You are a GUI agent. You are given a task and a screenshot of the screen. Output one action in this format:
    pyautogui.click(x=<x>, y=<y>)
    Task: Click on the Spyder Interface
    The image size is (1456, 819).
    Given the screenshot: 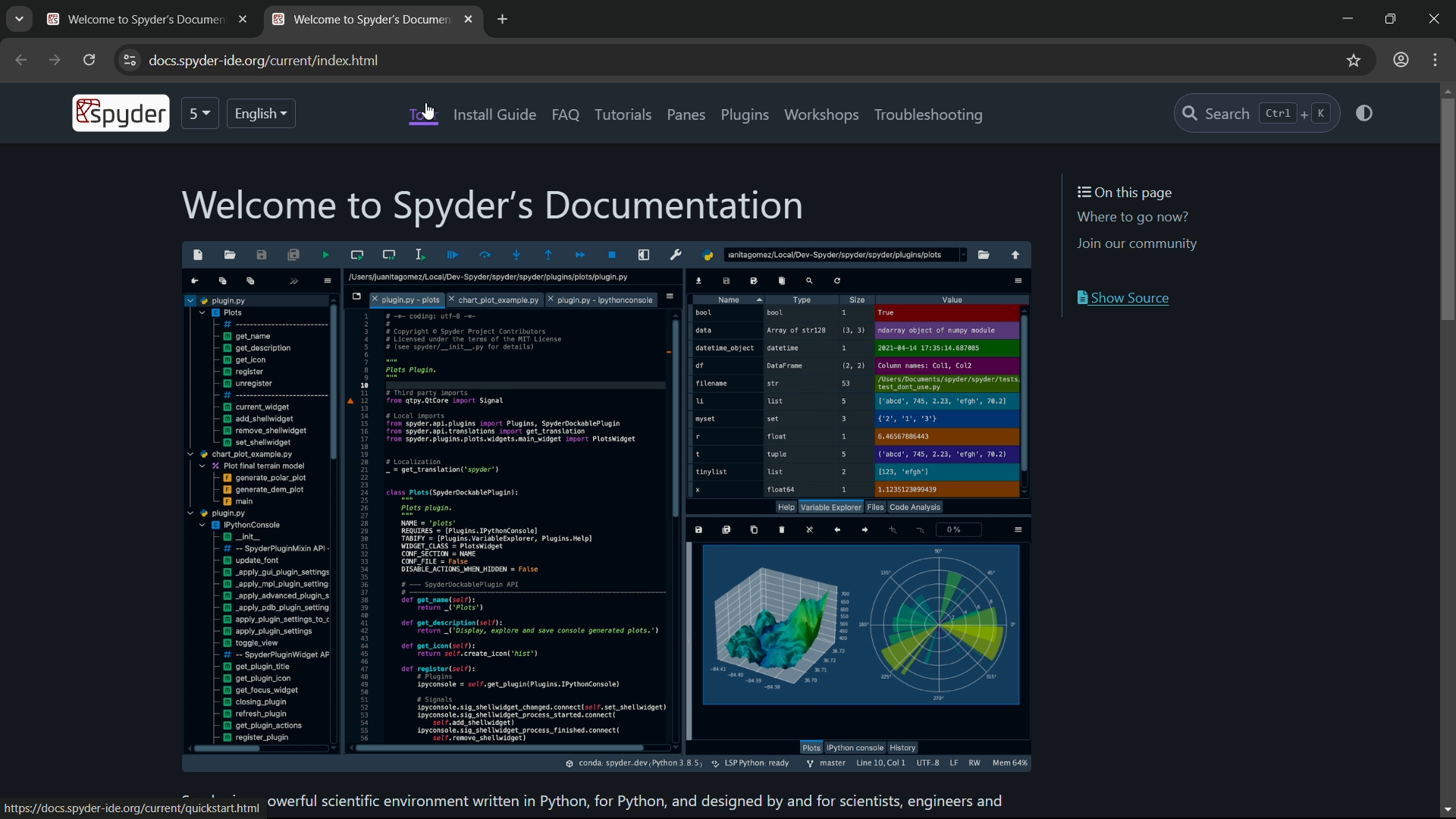 What is the action you would take?
    pyautogui.click(x=608, y=509)
    